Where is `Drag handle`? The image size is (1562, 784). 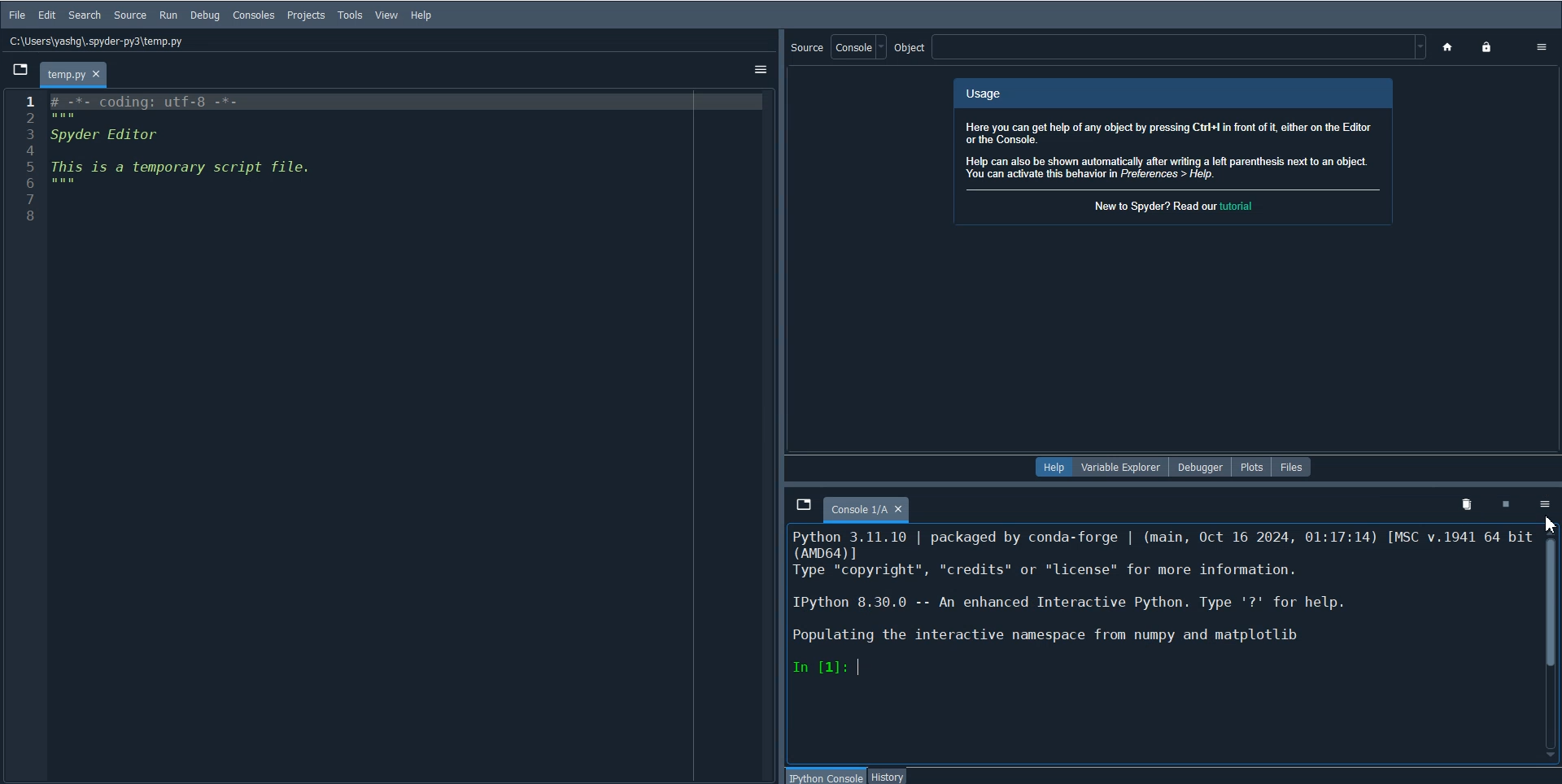
Drag handle is located at coordinates (780, 405).